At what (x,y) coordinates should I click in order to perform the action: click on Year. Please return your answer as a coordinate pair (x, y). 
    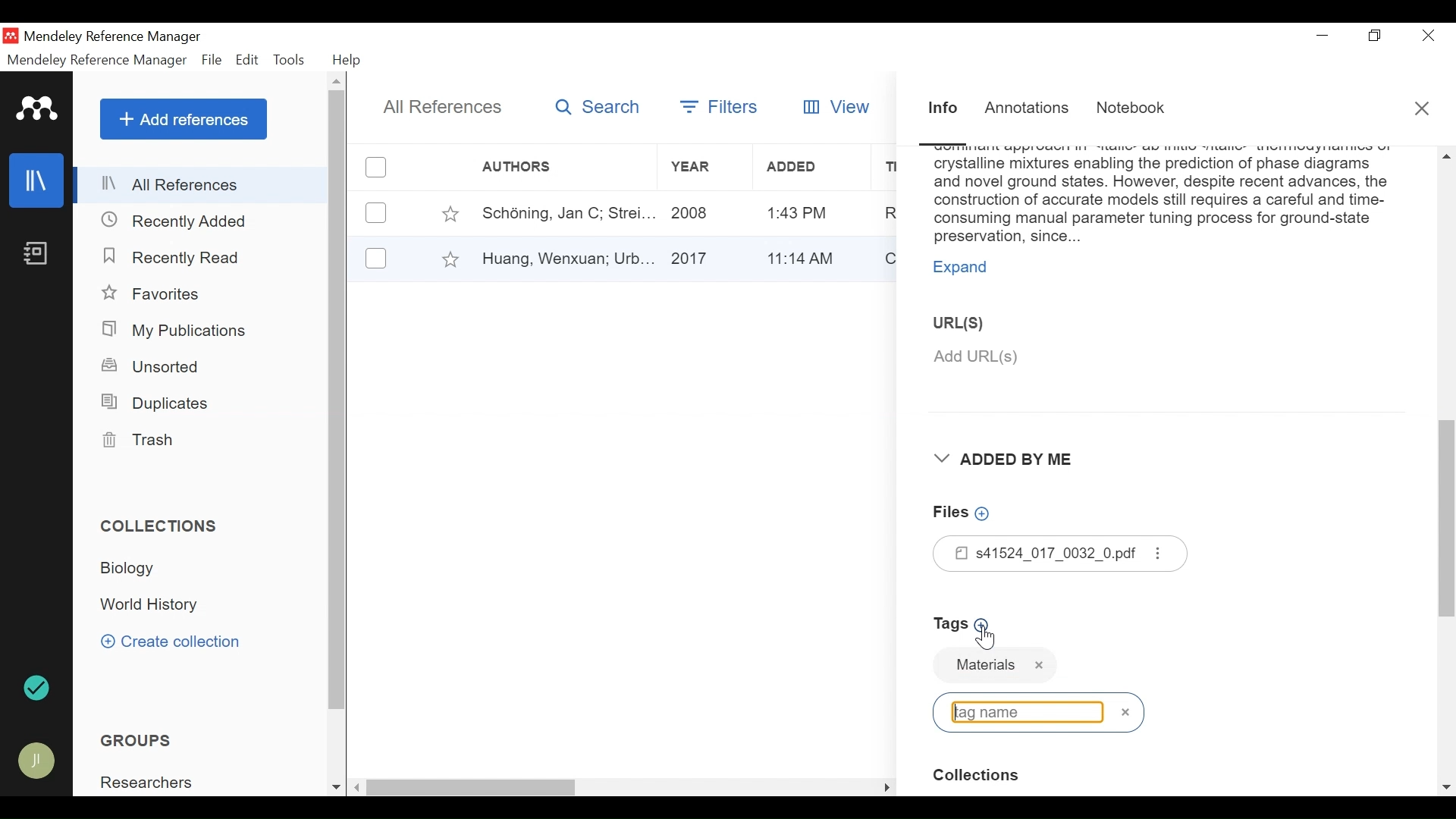
    Looking at the image, I should click on (702, 257).